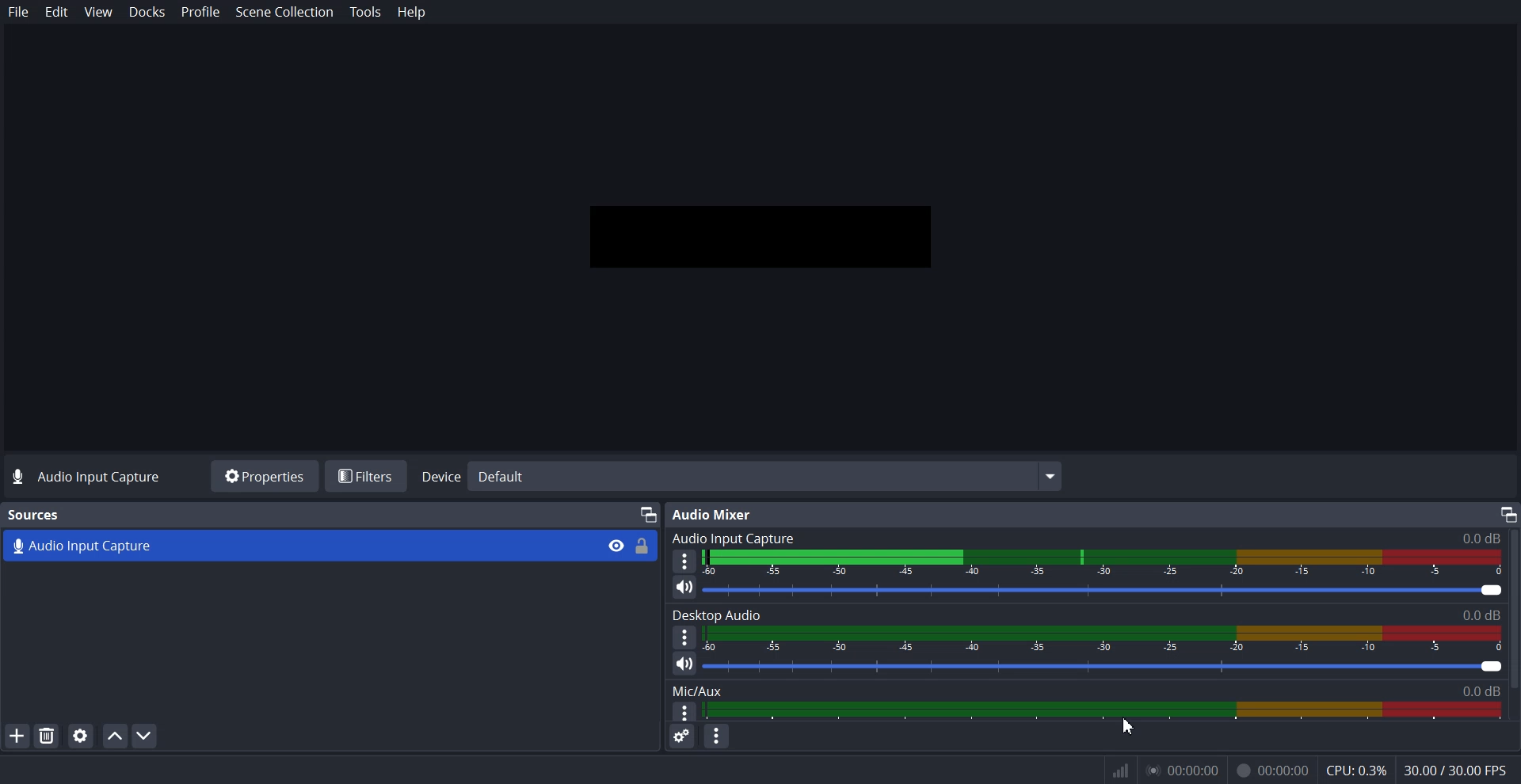 The height and width of the screenshot is (784, 1521). Describe the element at coordinates (17, 735) in the screenshot. I see `Add Source` at that location.